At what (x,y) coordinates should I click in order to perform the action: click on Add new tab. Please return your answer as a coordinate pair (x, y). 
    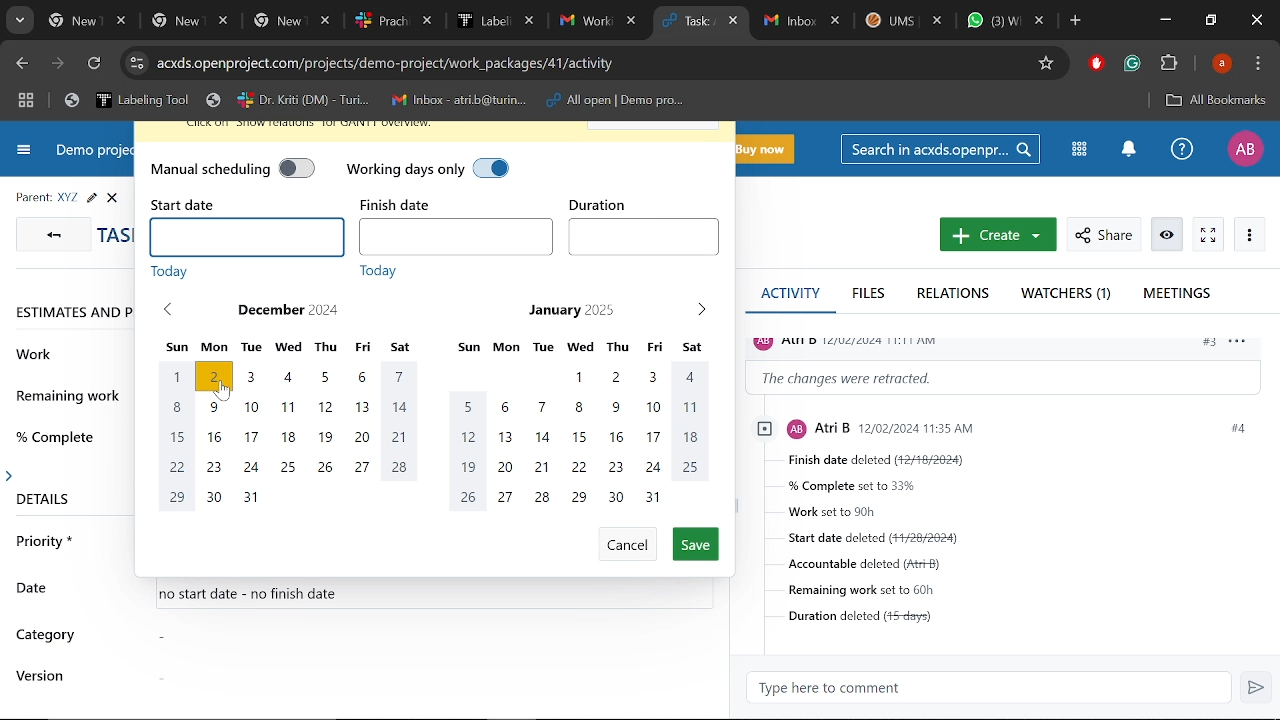
    Looking at the image, I should click on (1077, 23).